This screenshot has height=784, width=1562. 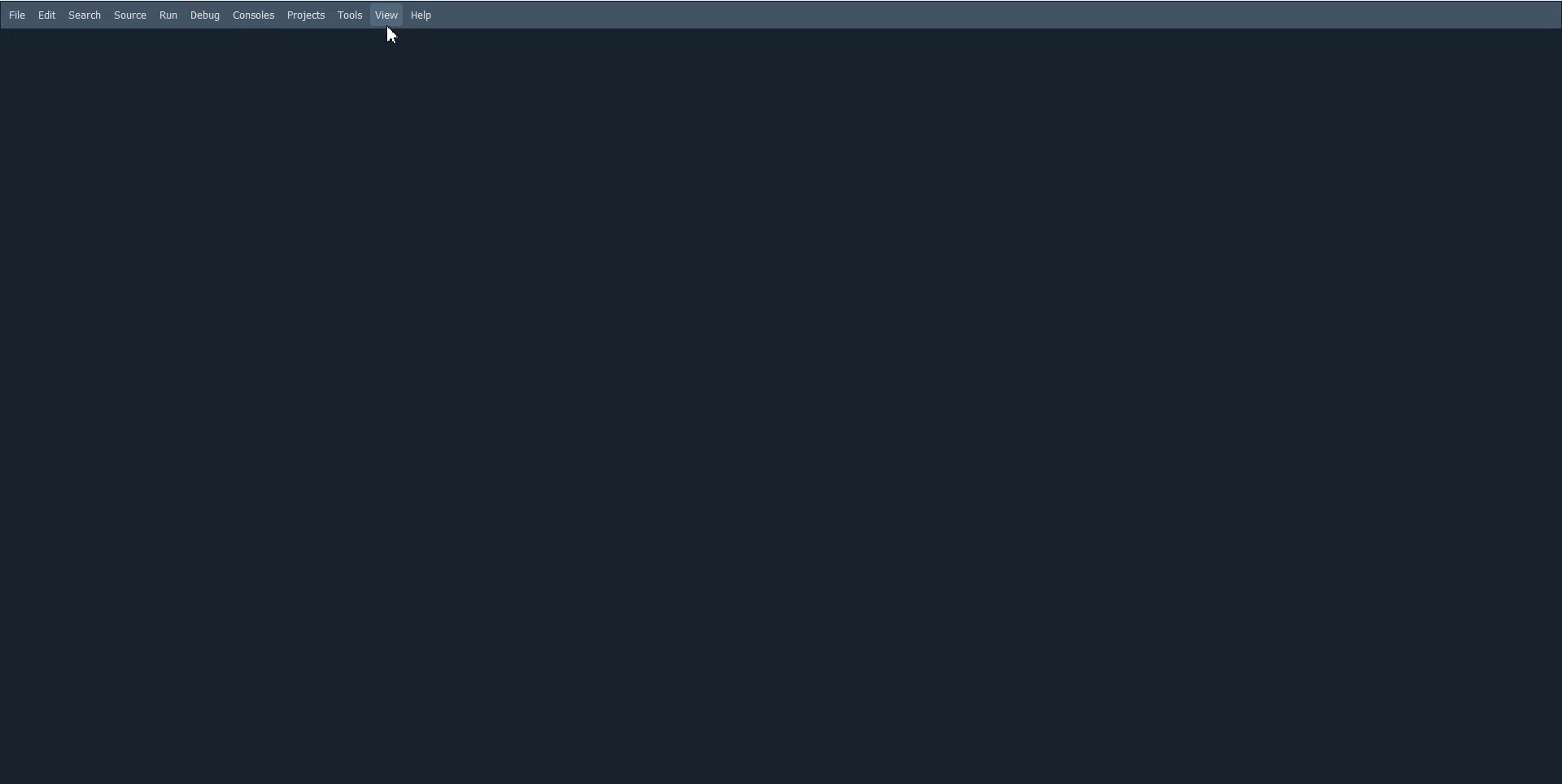 What do you see at coordinates (205, 15) in the screenshot?
I see `Debug` at bounding box center [205, 15].